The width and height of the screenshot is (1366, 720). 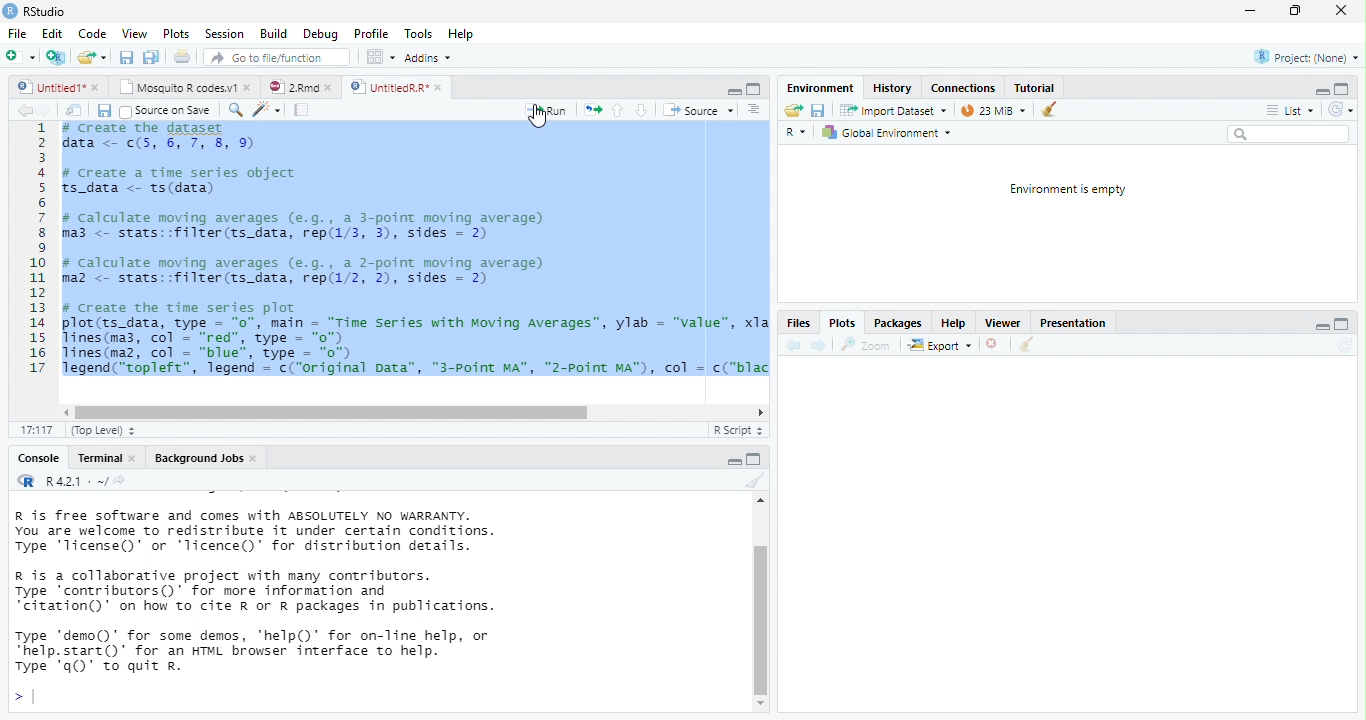 What do you see at coordinates (939, 346) in the screenshot?
I see `export` at bounding box center [939, 346].